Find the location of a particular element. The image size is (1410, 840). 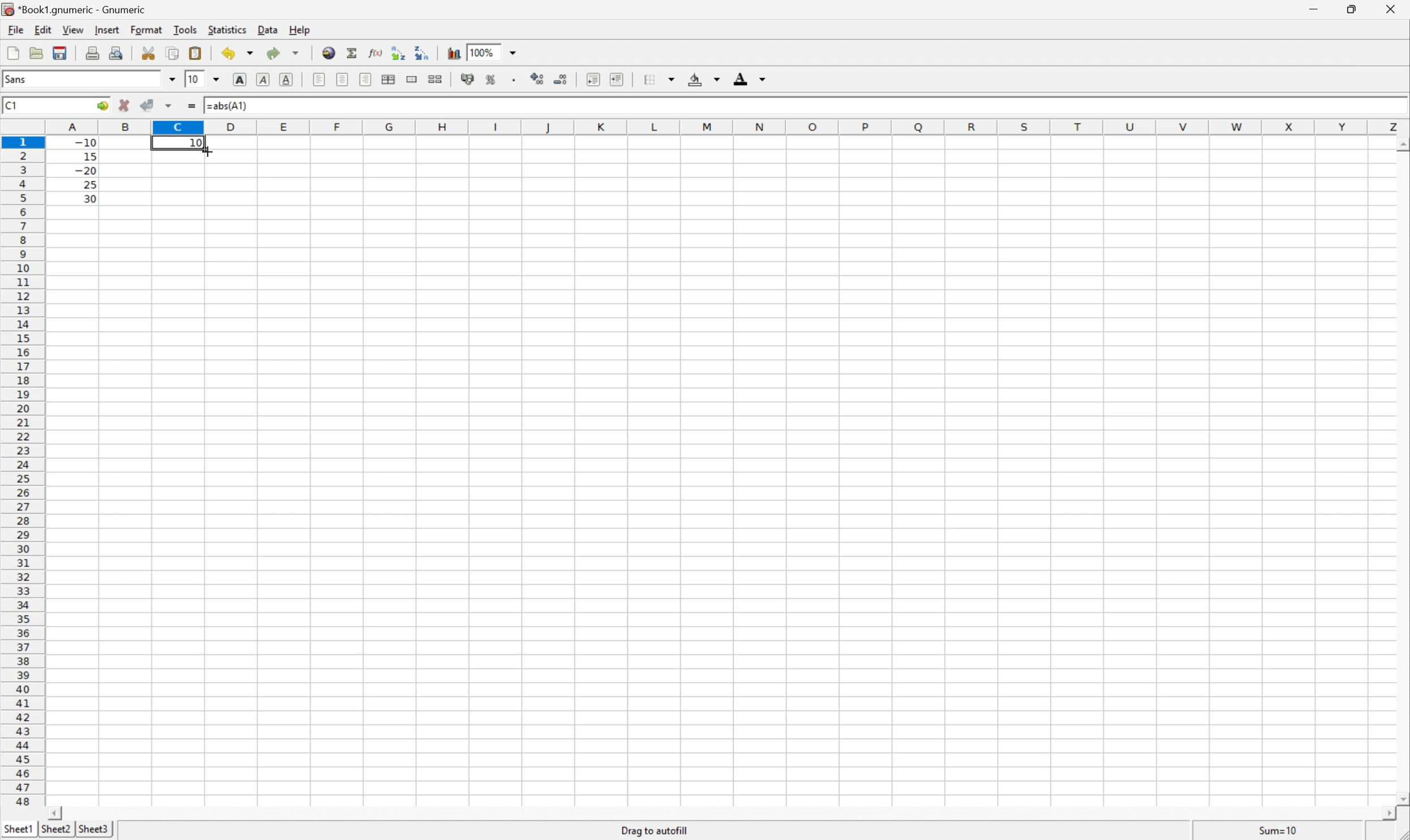

Redo is located at coordinates (285, 54).